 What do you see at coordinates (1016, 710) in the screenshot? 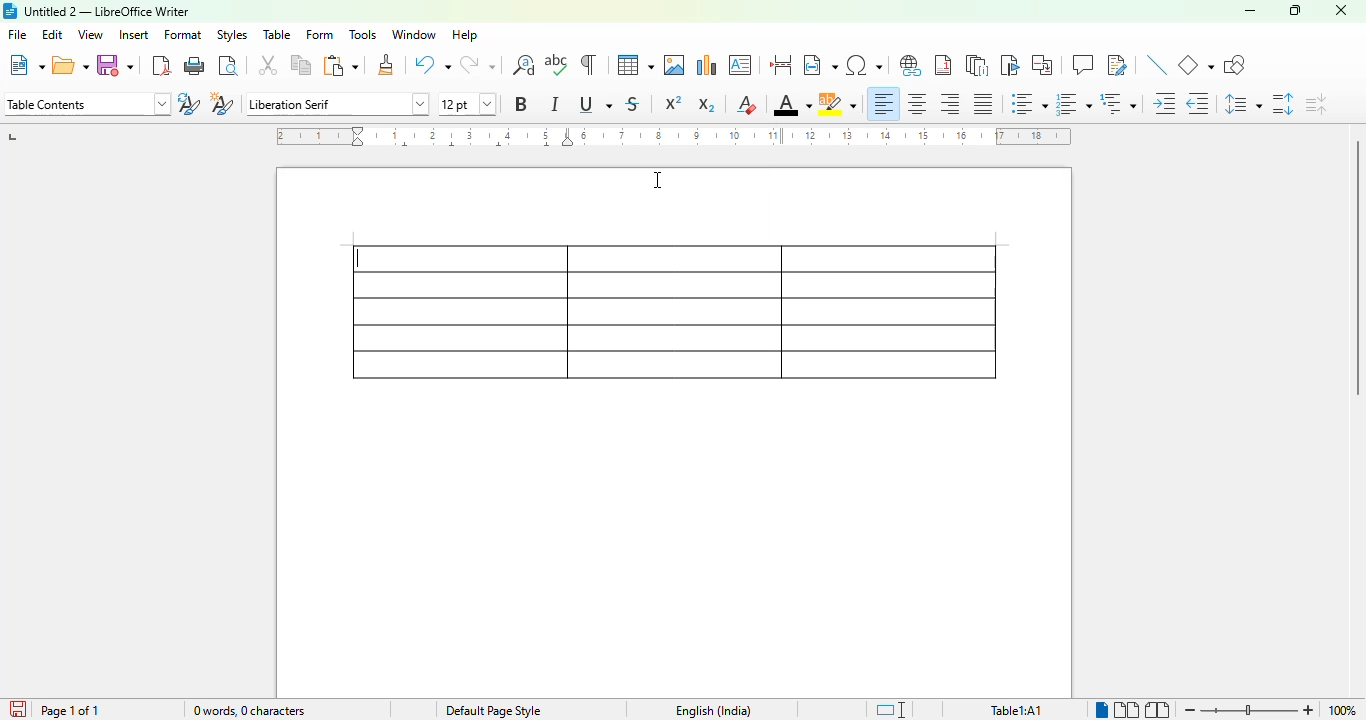
I see `table1:A1` at bounding box center [1016, 710].